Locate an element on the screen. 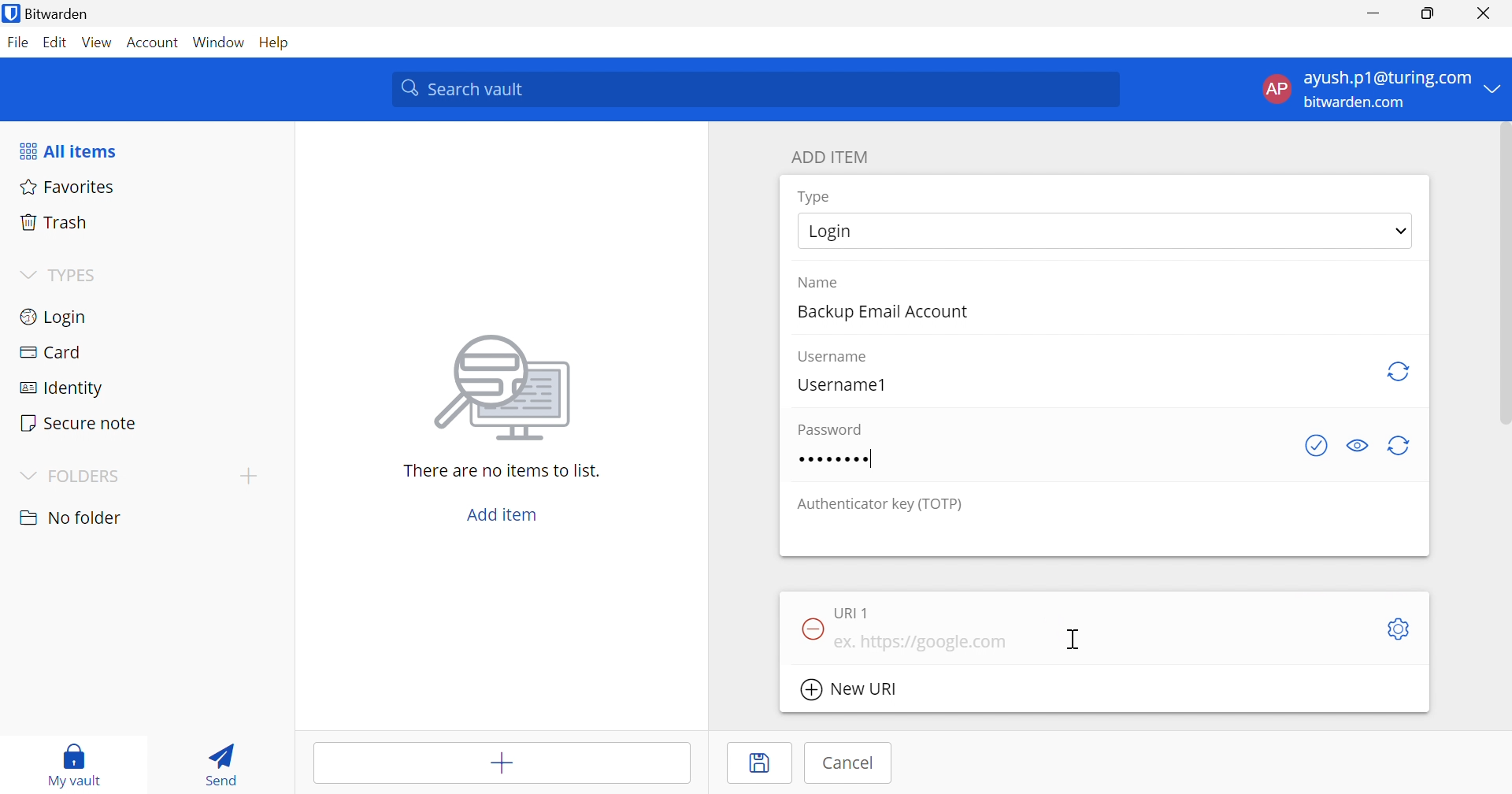 The image size is (1512, 794). Username1 is located at coordinates (842, 384).